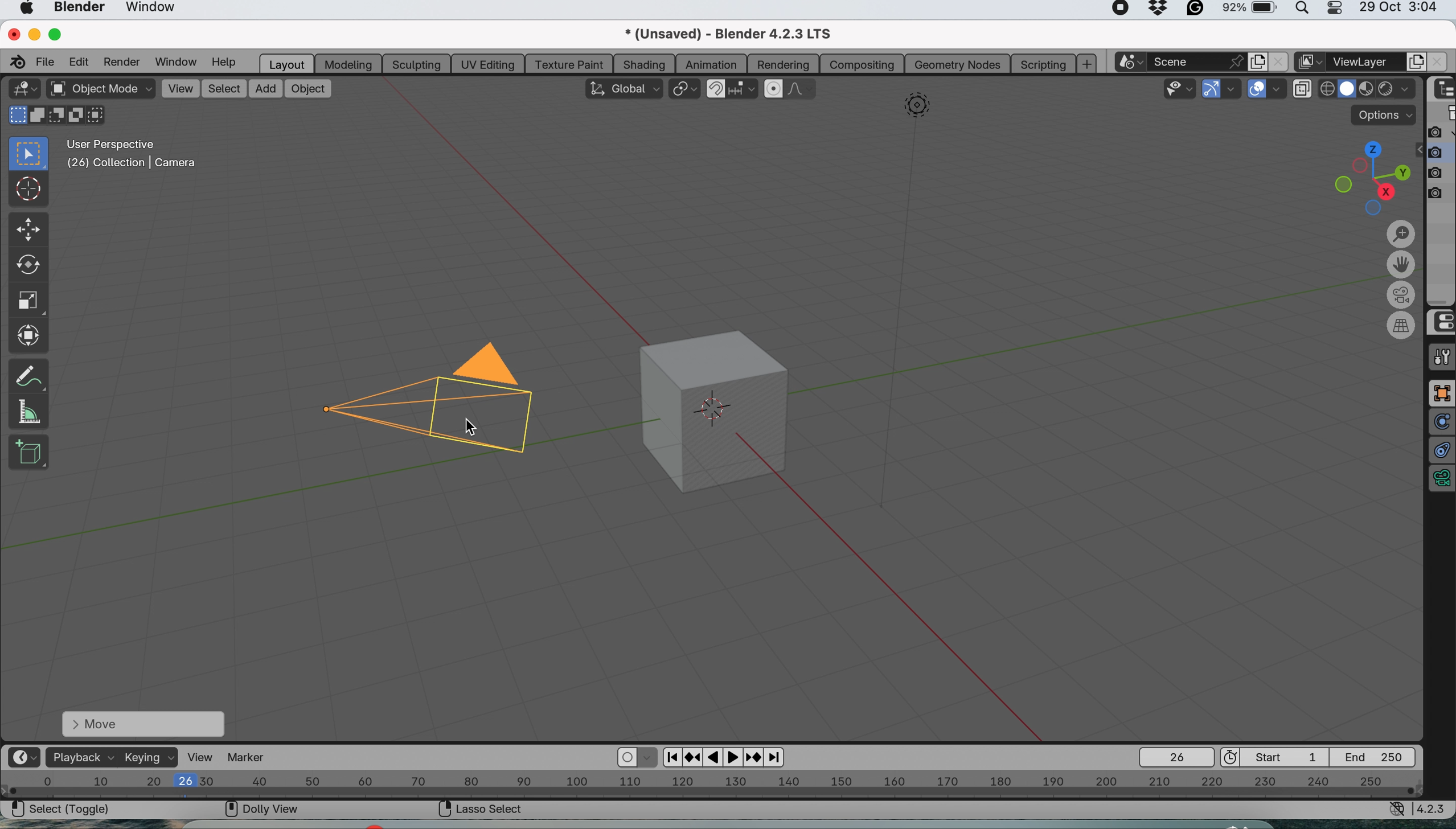 The width and height of the screenshot is (1456, 829). Describe the element at coordinates (1088, 64) in the screenshot. I see `add workspace` at that location.